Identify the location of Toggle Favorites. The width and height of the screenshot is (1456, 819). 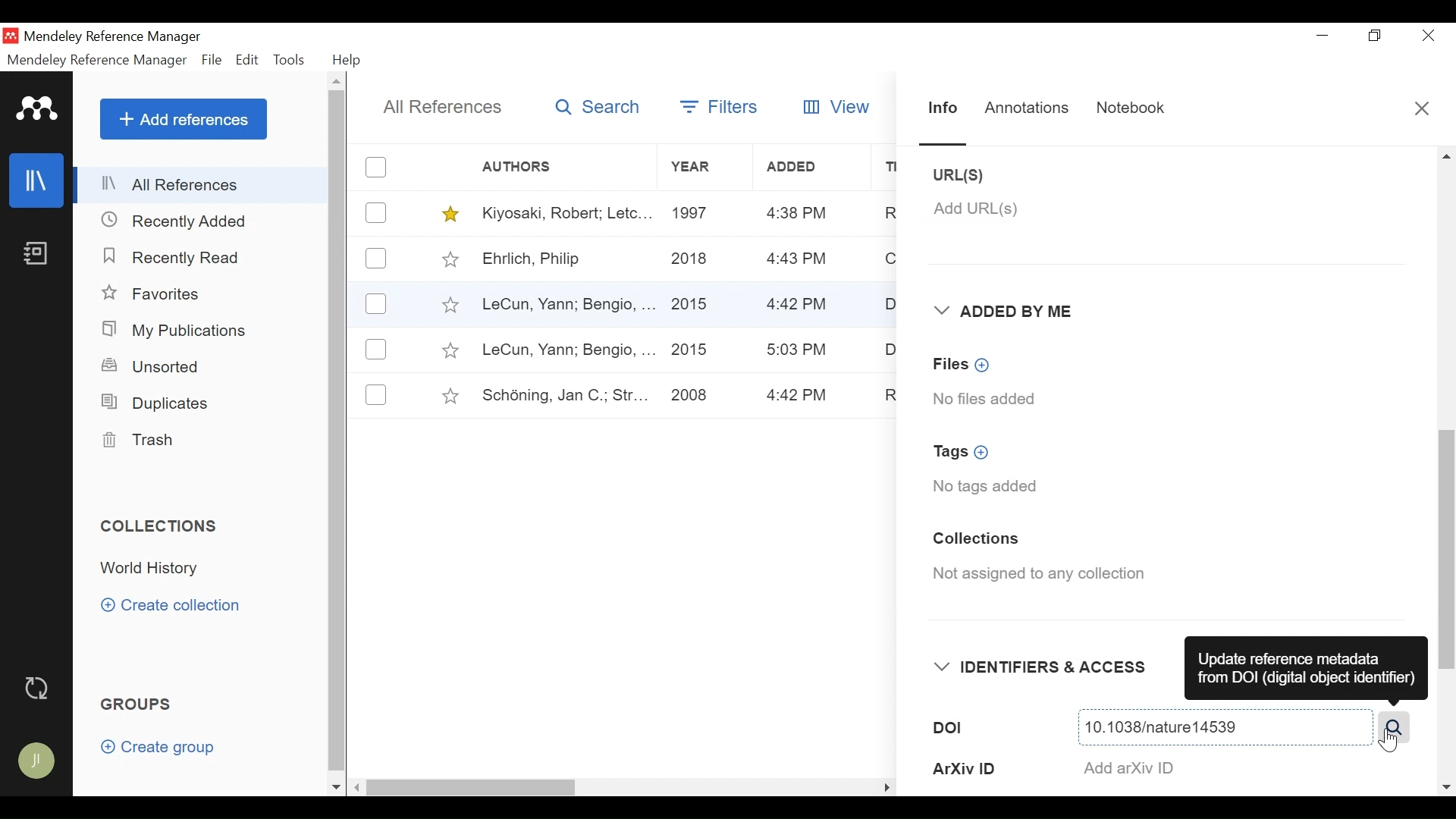
(449, 350).